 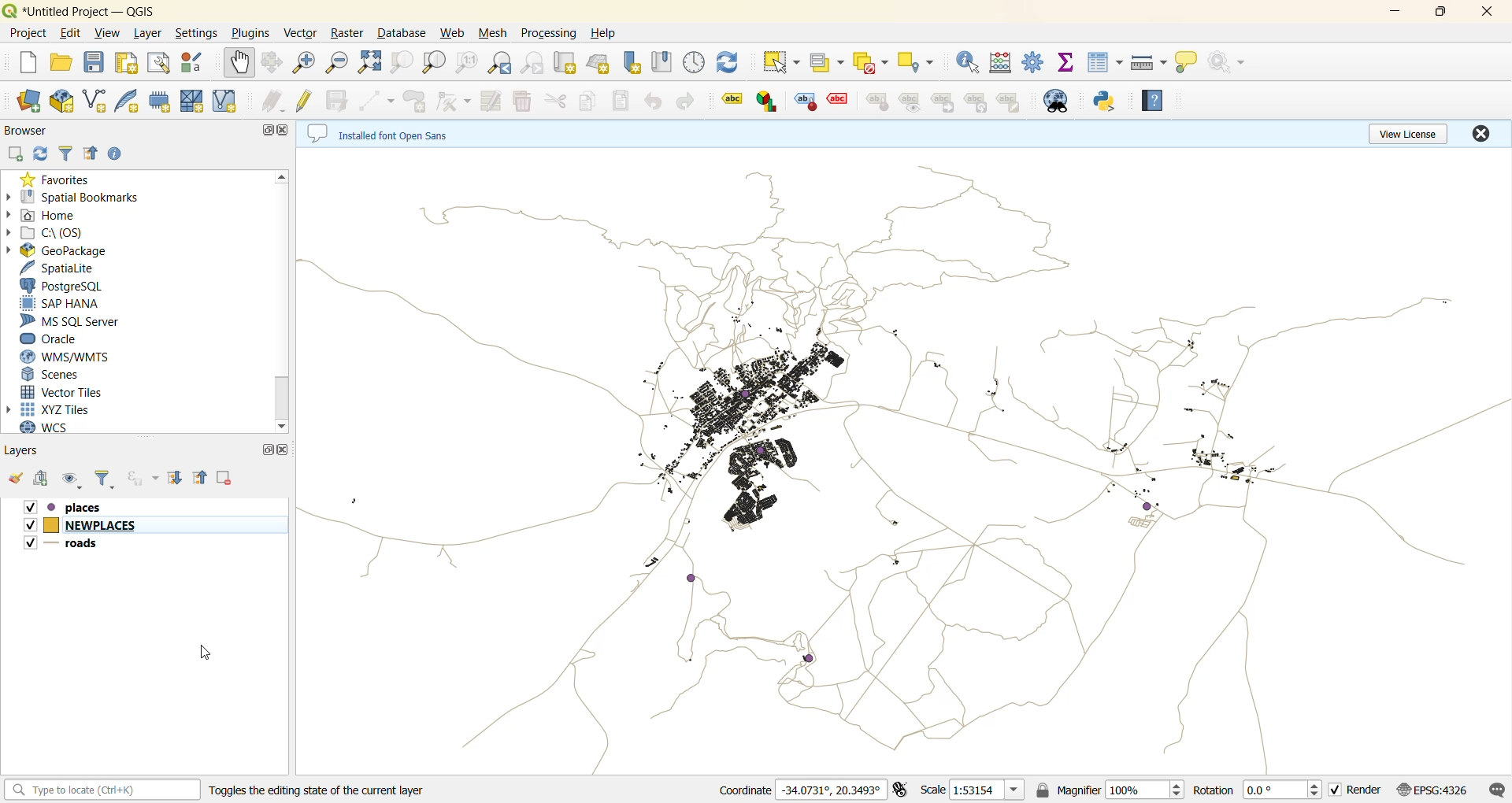 What do you see at coordinates (664, 61) in the screenshot?
I see `show spatial bookmark` at bounding box center [664, 61].